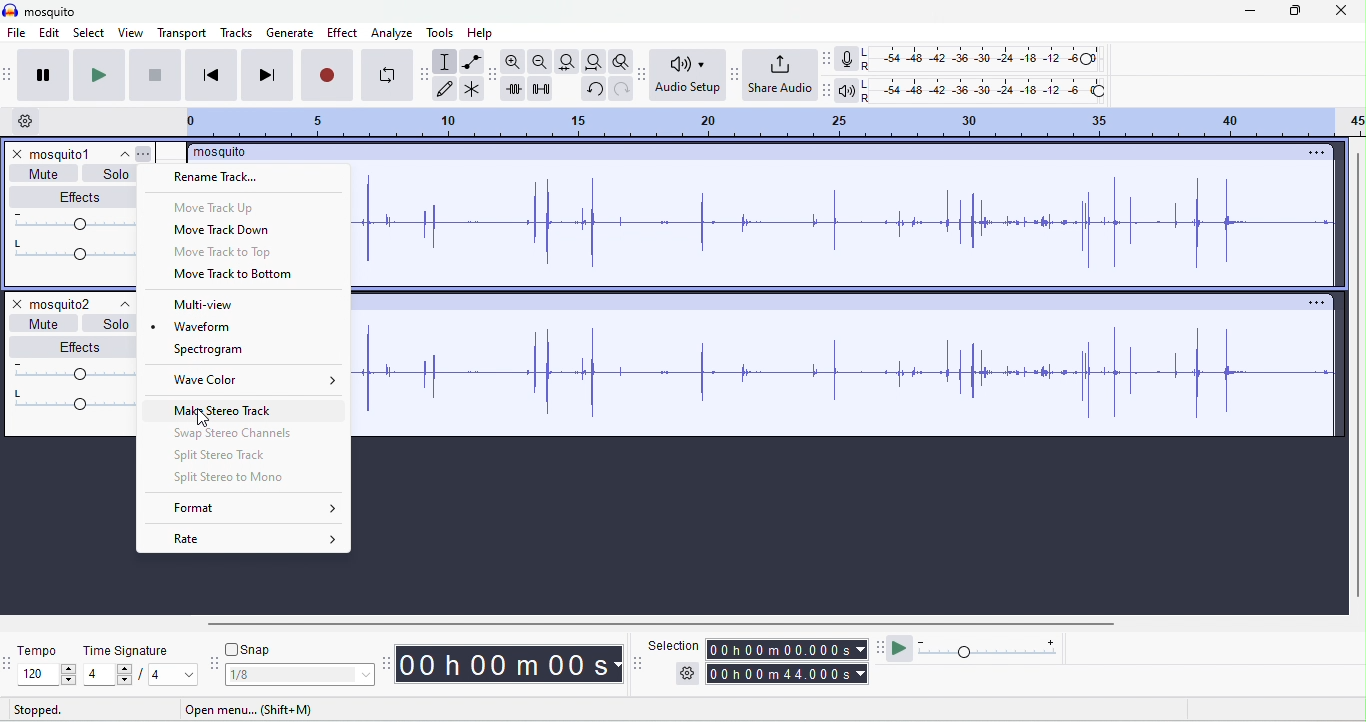  What do you see at coordinates (443, 62) in the screenshot?
I see `selection` at bounding box center [443, 62].